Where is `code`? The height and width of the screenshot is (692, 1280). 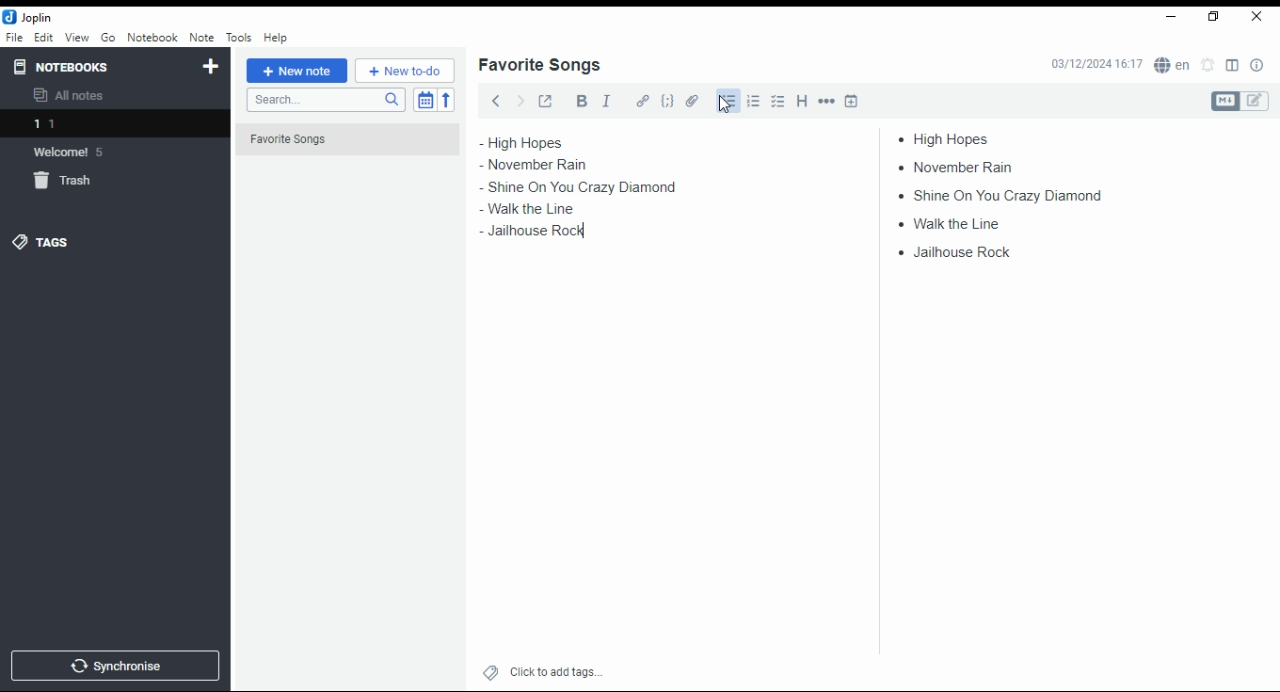
code is located at coordinates (667, 101).